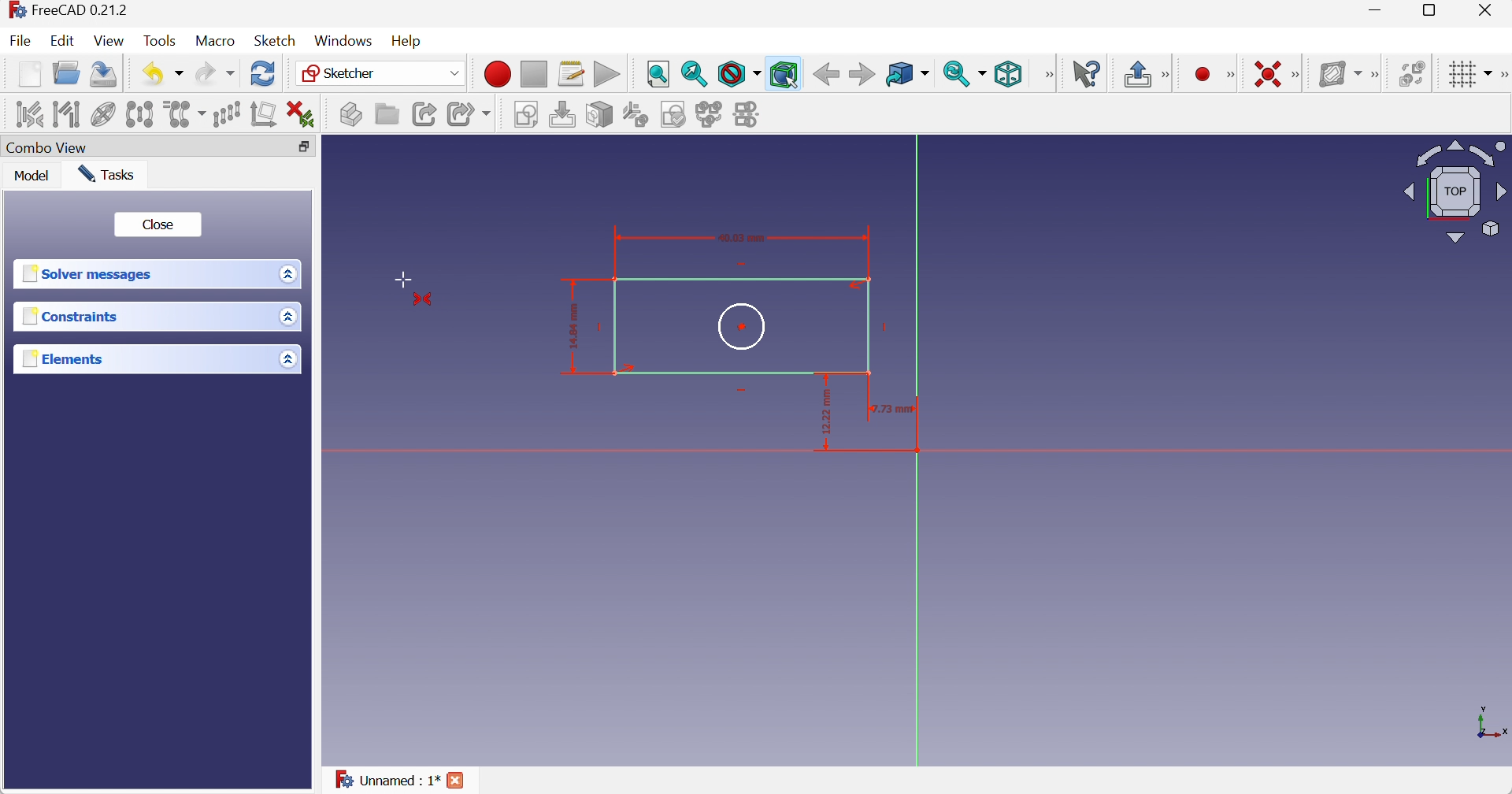  Describe the element at coordinates (143, 113) in the screenshot. I see `Symmetry` at that location.